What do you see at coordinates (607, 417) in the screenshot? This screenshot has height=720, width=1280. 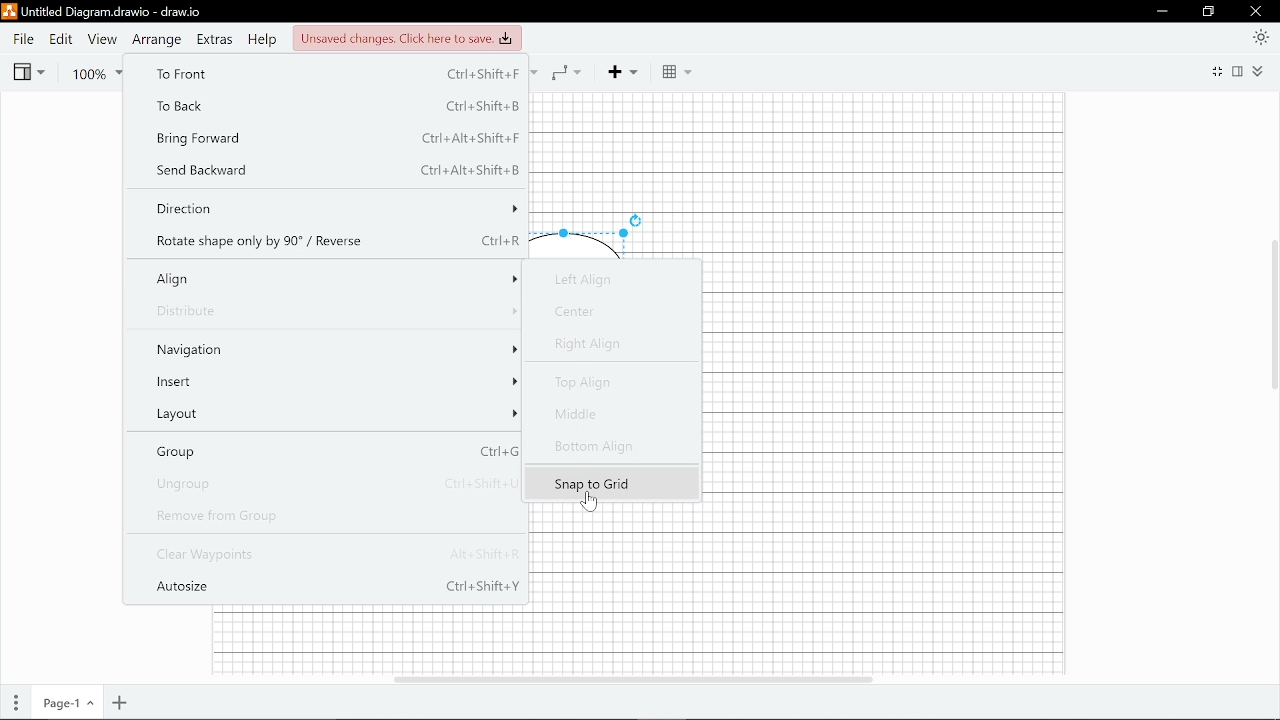 I see `Middle` at bounding box center [607, 417].